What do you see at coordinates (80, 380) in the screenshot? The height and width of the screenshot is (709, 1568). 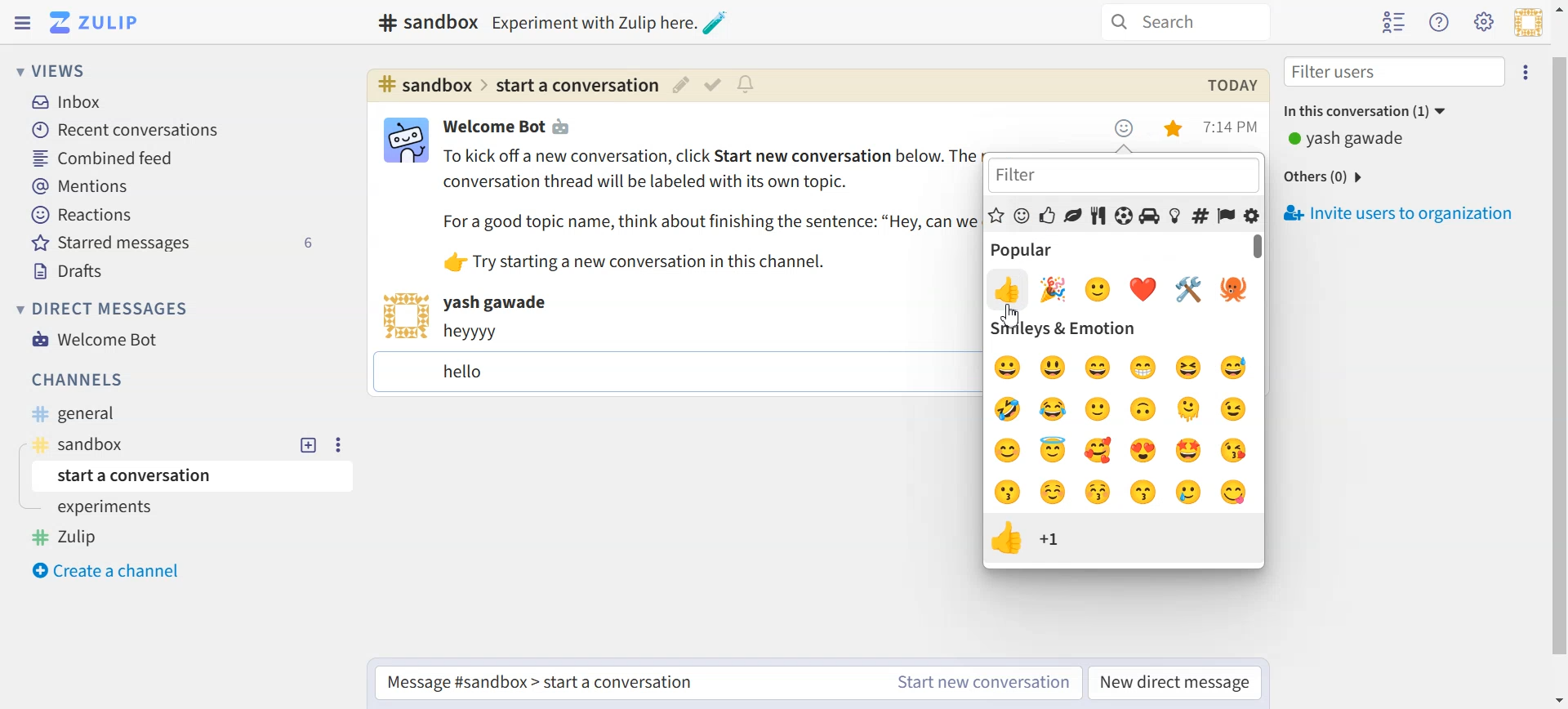 I see `Channels` at bounding box center [80, 380].